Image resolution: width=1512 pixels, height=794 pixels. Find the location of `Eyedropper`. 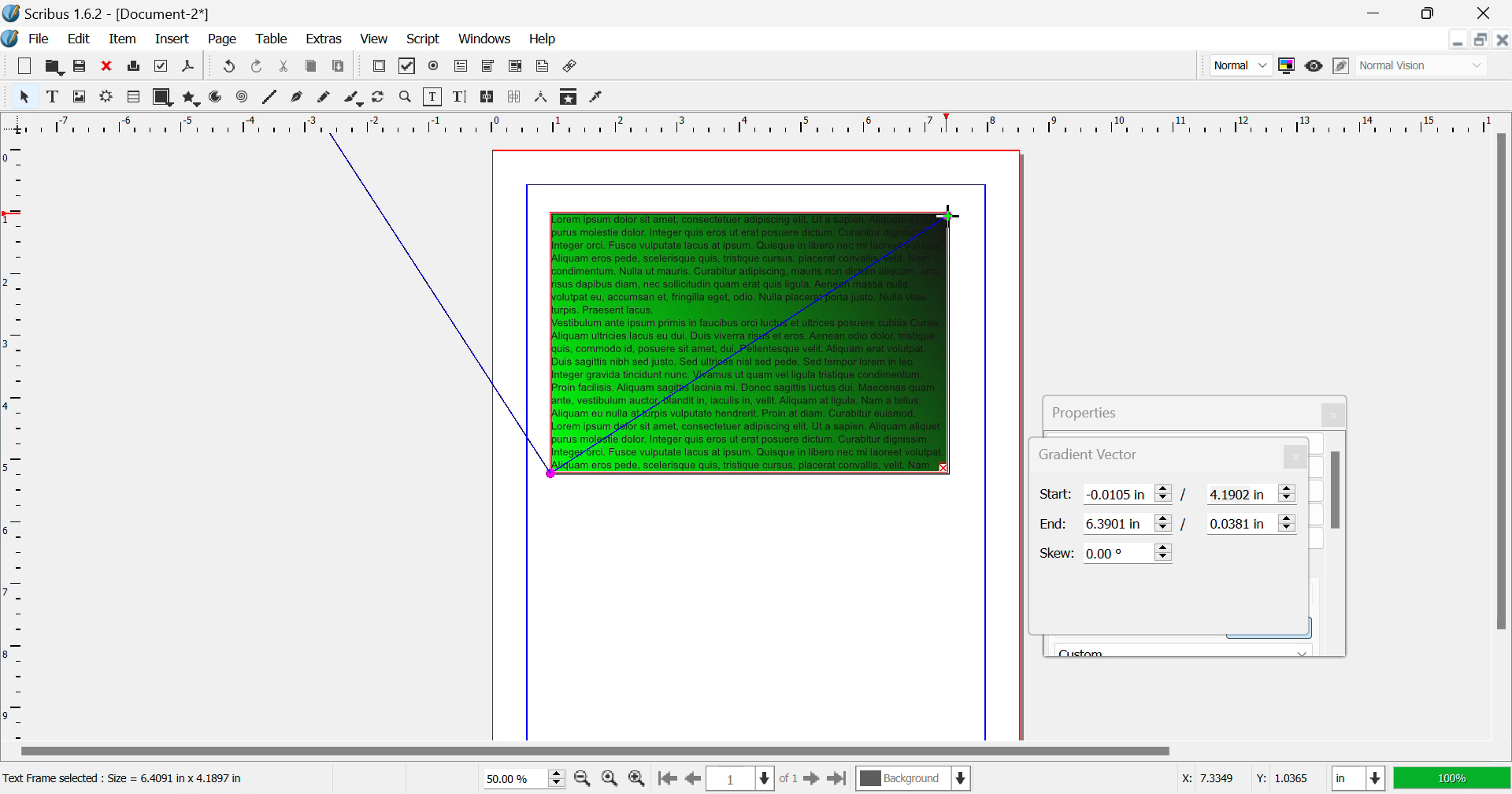

Eyedropper is located at coordinates (597, 98).